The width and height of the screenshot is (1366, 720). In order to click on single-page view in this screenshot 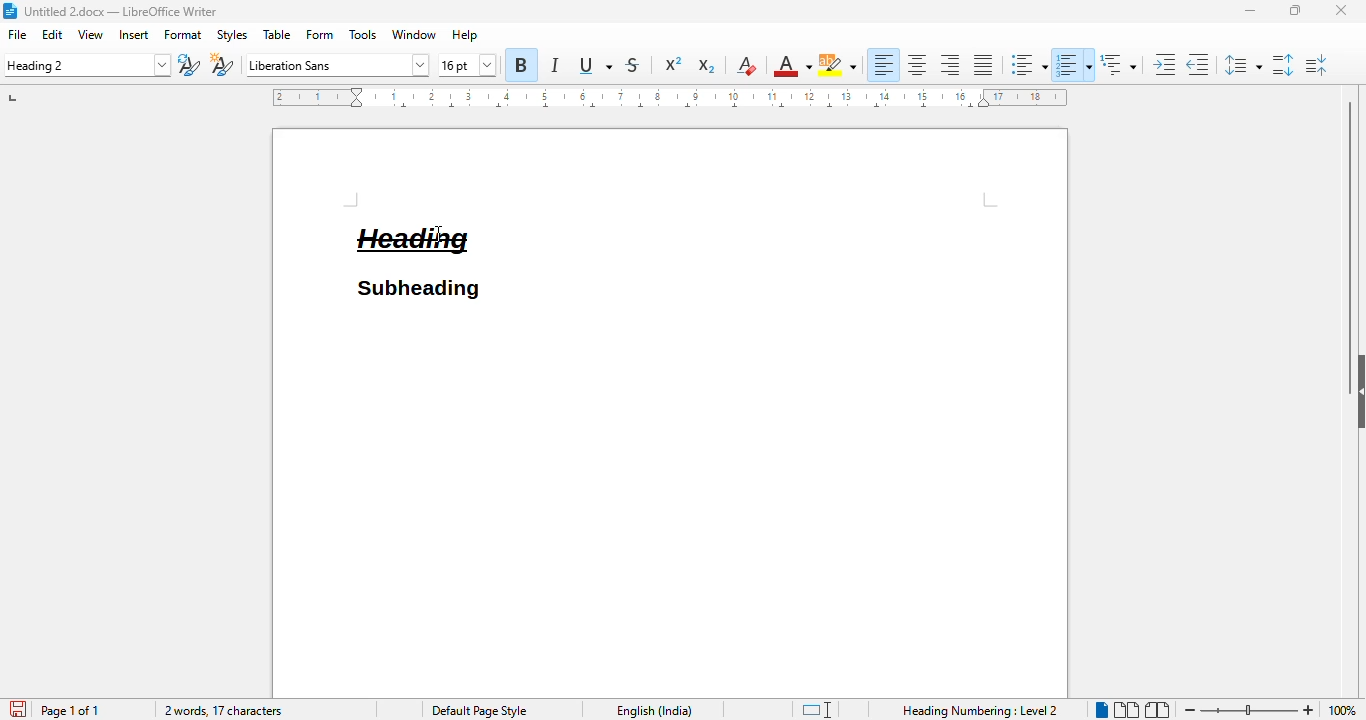, I will do `click(1102, 710)`.